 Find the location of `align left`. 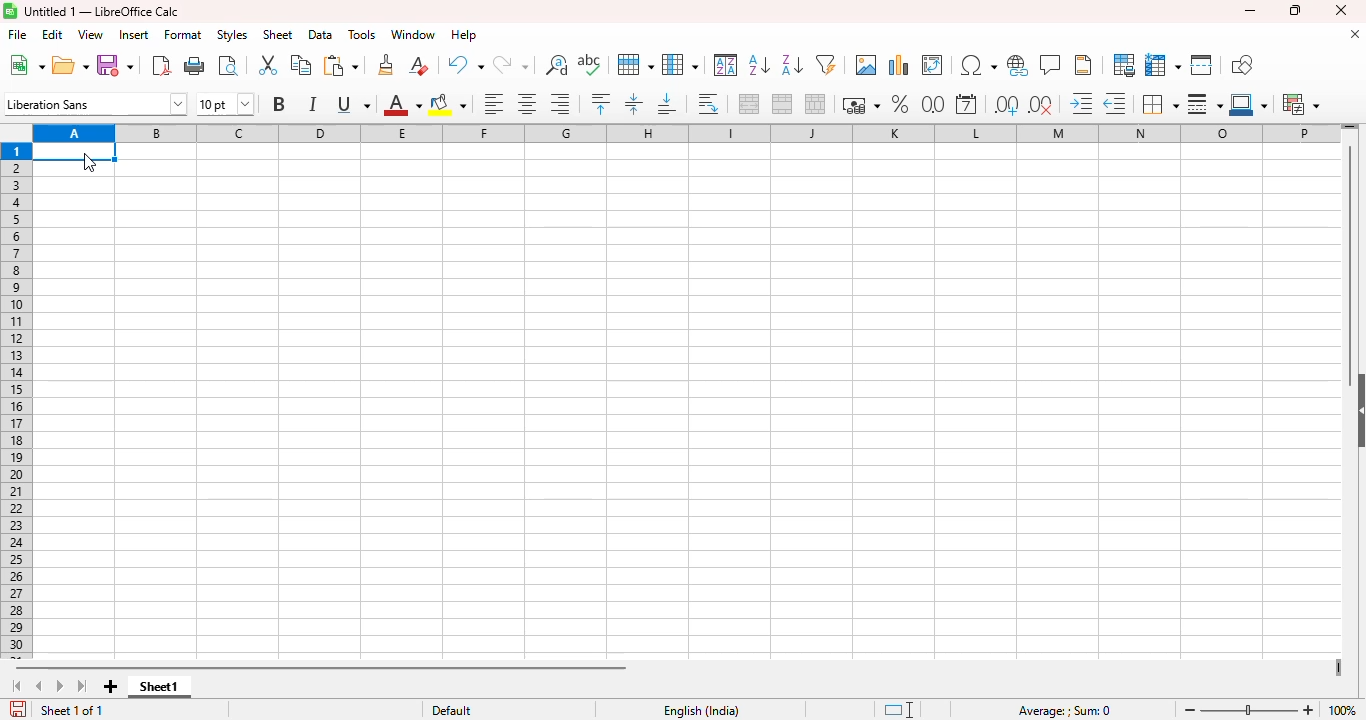

align left is located at coordinates (493, 104).